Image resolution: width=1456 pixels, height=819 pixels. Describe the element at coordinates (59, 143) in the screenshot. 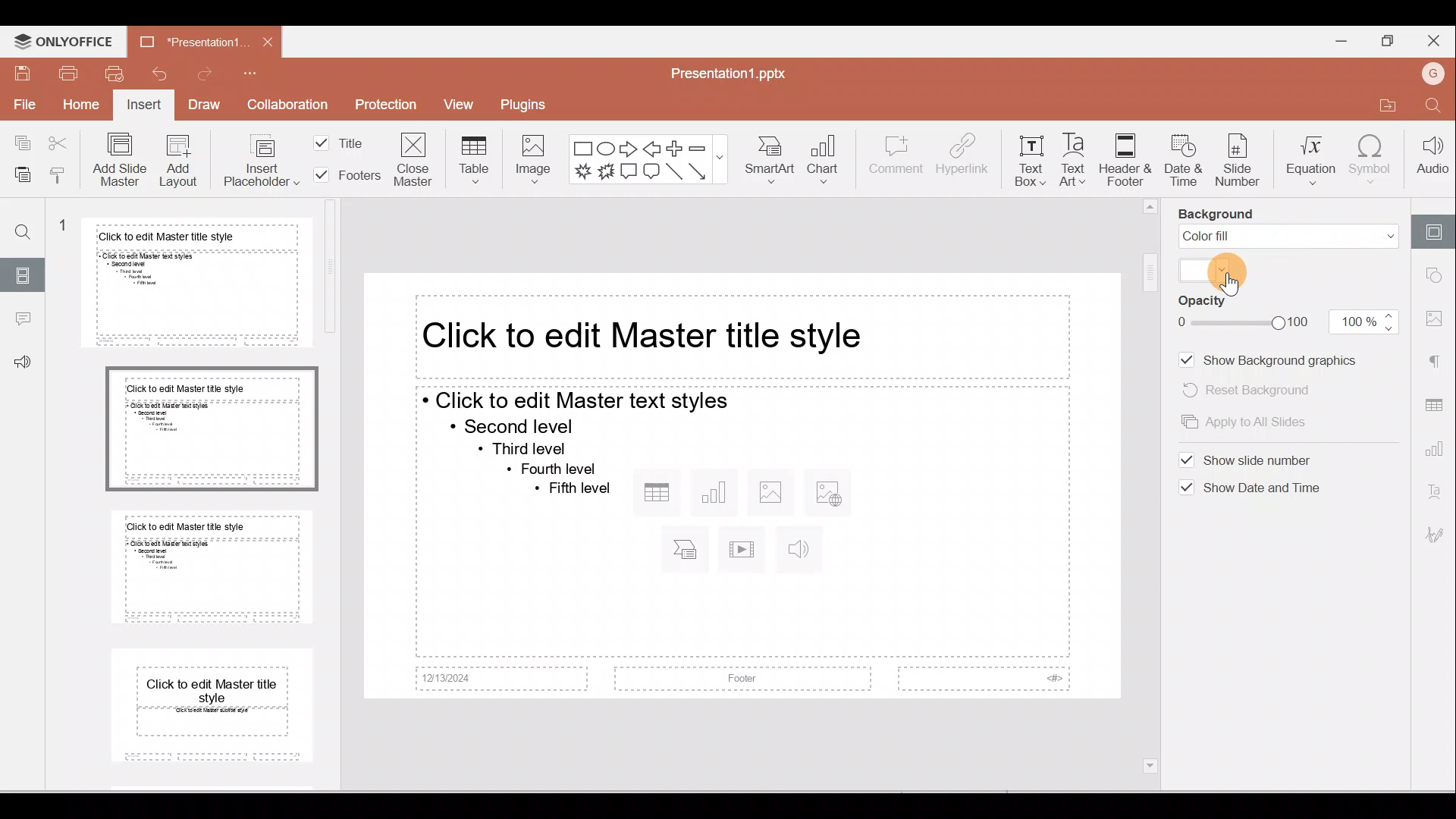

I see `Cut` at that location.